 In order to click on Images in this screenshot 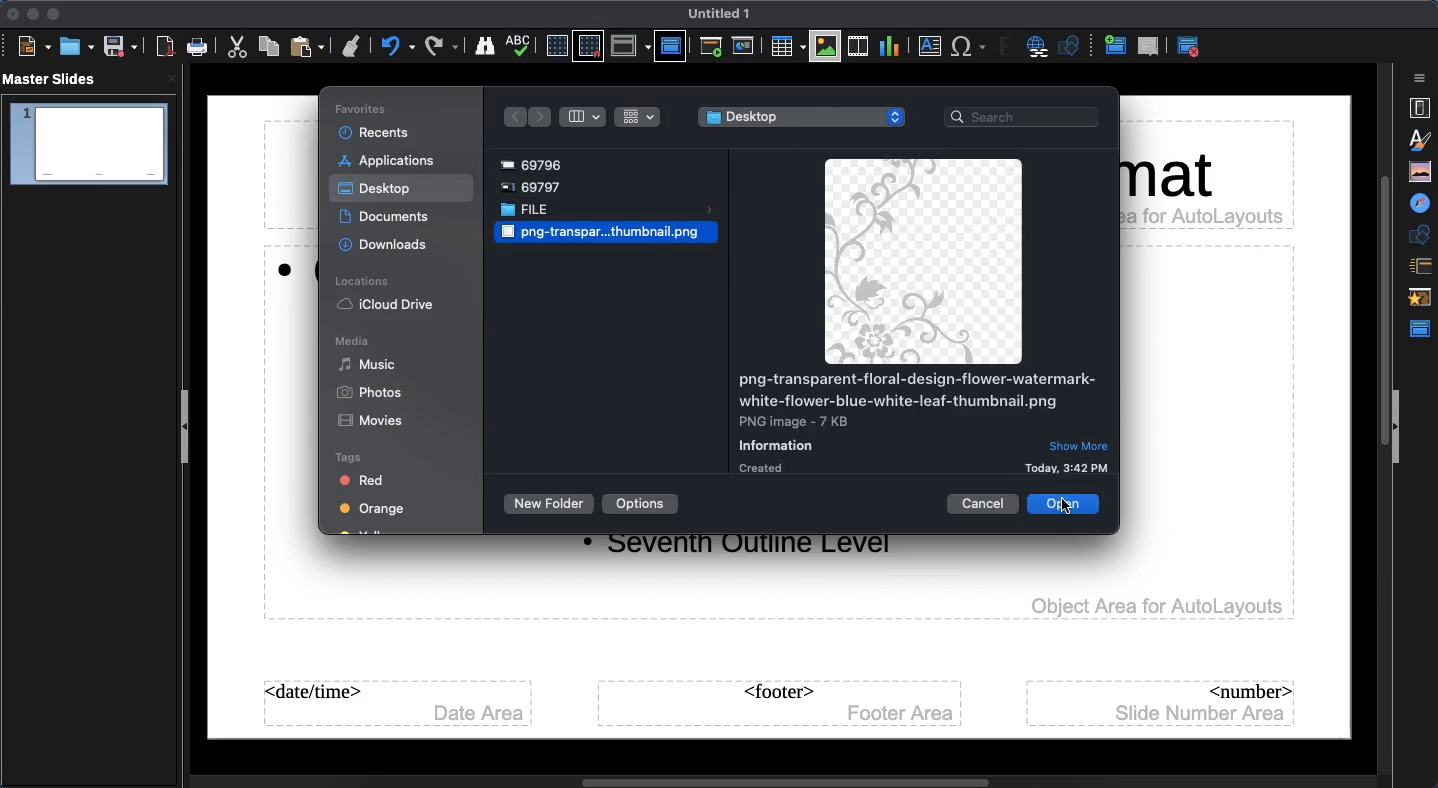, I will do `click(826, 46)`.